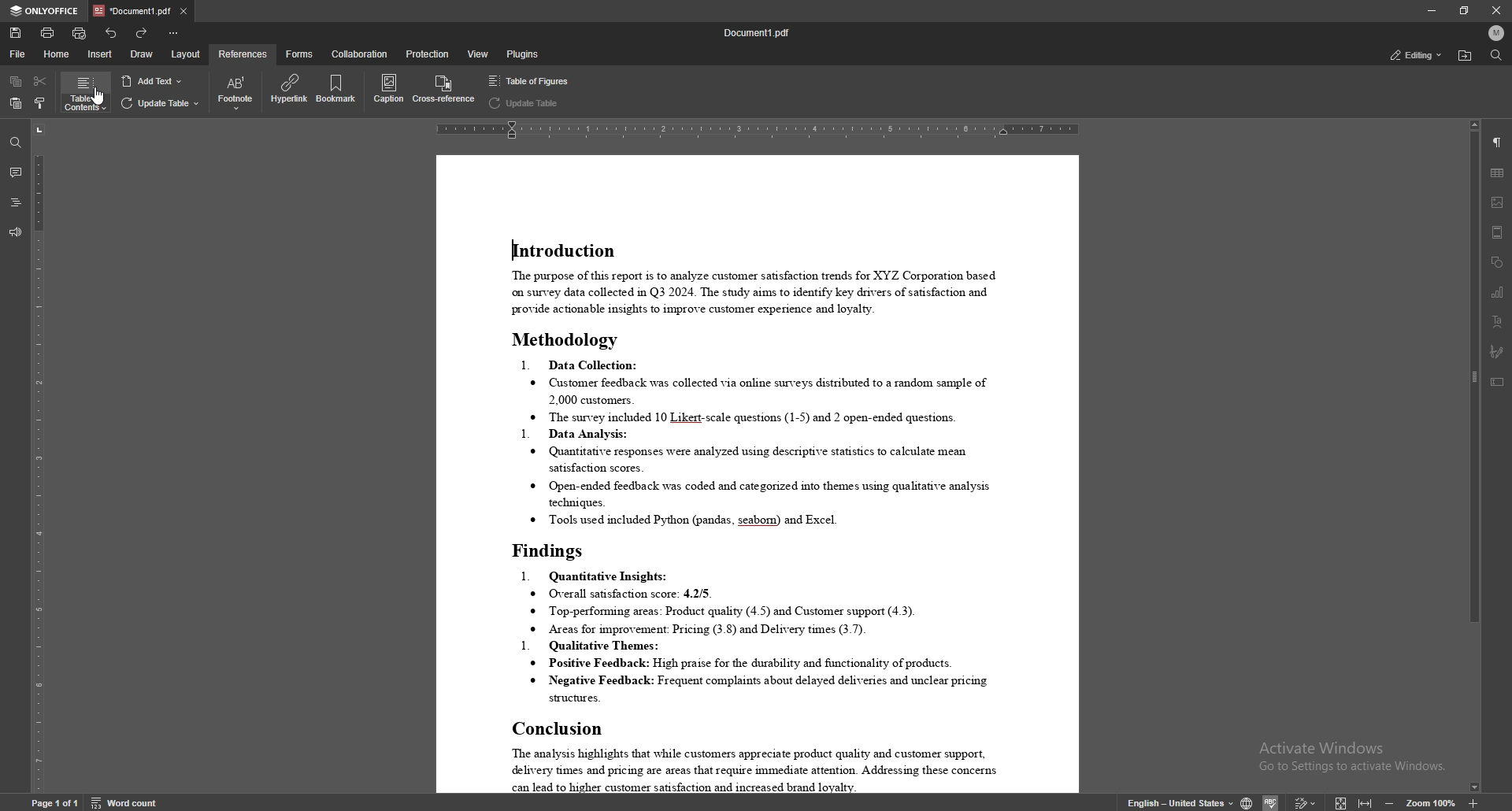  What do you see at coordinates (1350, 757) in the screenshot?
I see `Activate Windows
Go to Settings to activate Windows.` at bounding box center [1350, 757].